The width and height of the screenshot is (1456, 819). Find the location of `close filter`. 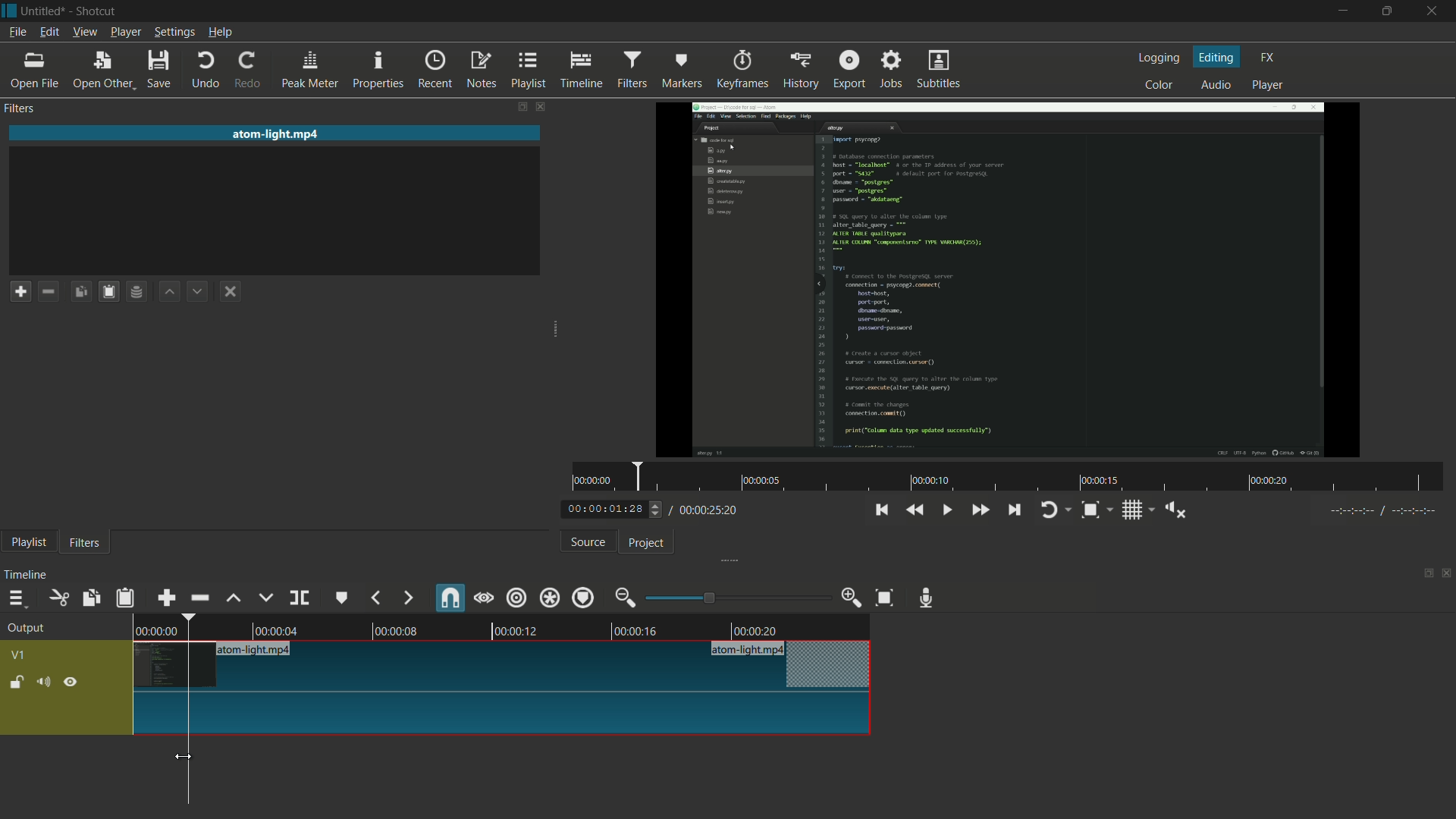

close filter is located at coordinates (539, 105).